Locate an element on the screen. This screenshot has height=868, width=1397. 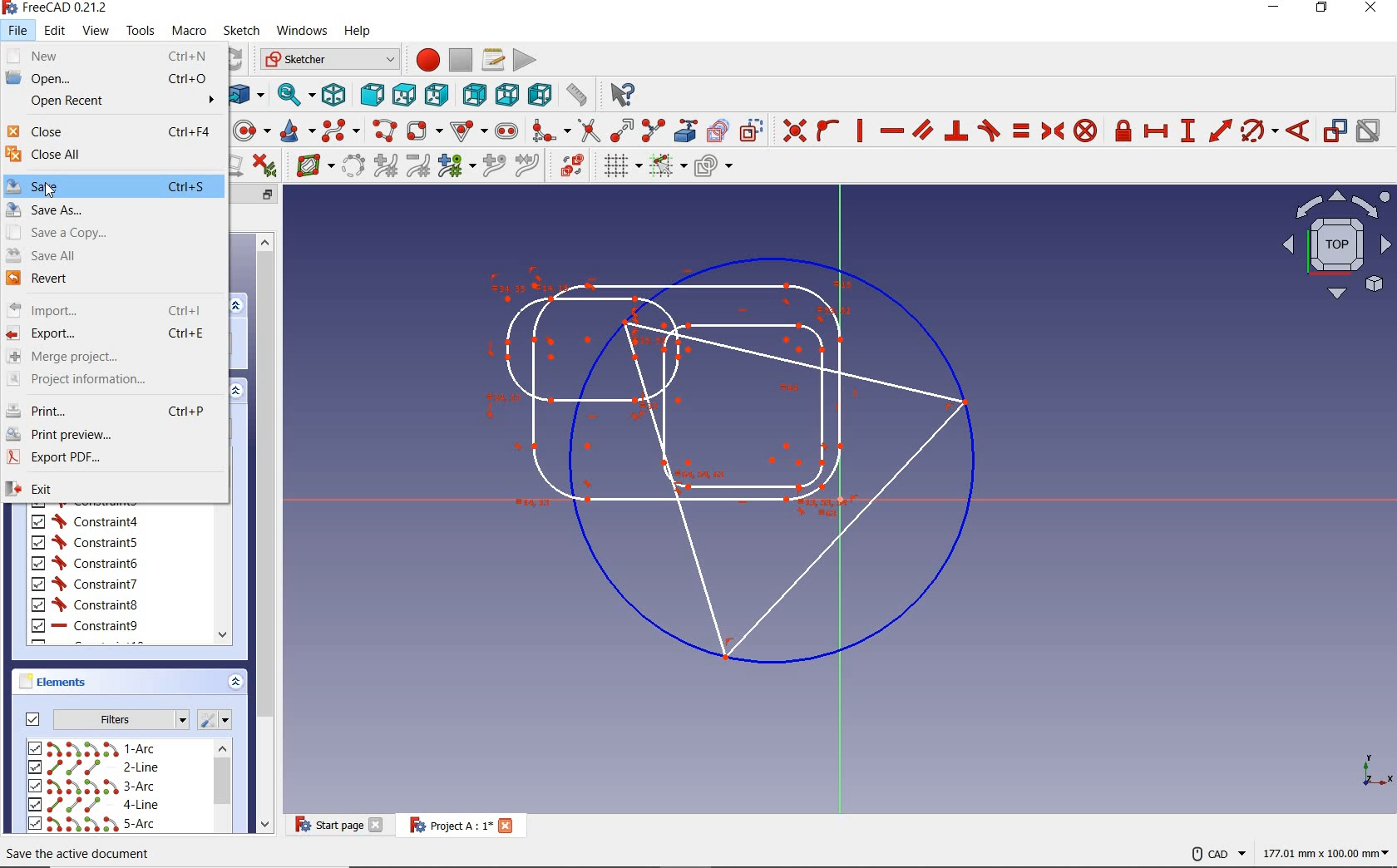
save all is located at coordinates (111, 254).